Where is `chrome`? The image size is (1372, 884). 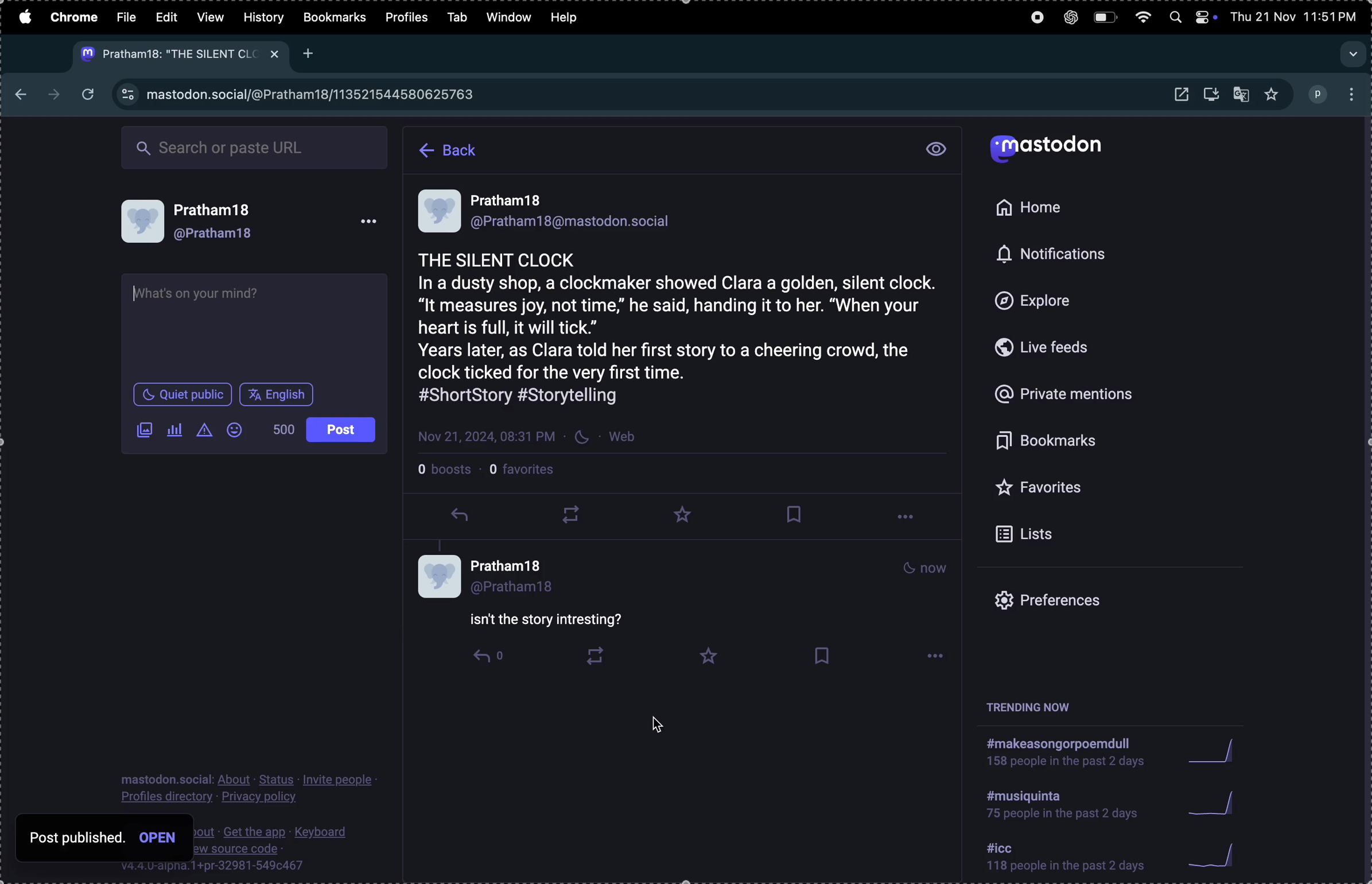 chrome is located at coordinates (75, 18).